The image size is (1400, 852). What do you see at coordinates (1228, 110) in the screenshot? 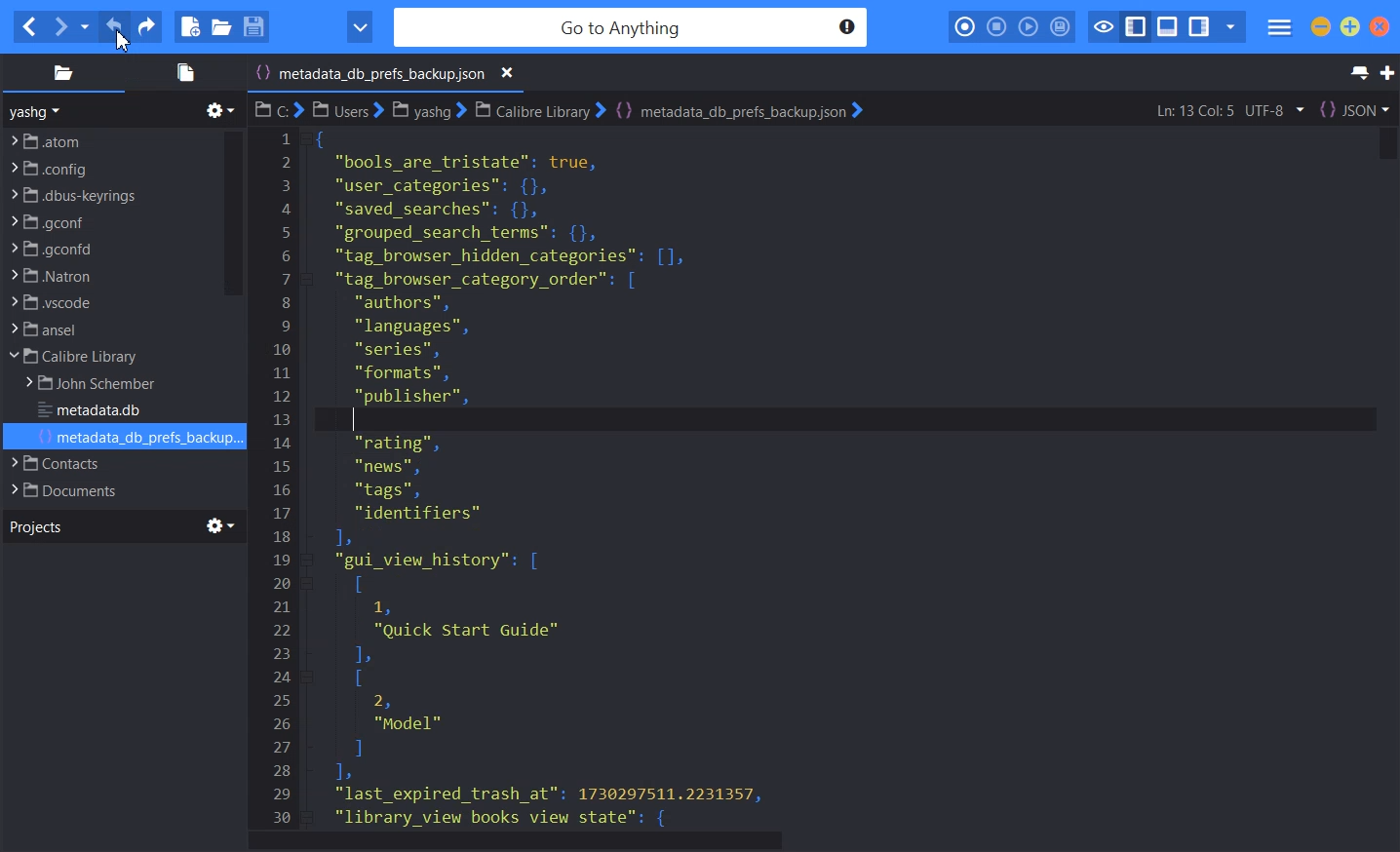
I see `Ln: 13 col:15 UTF-8` at bounding box center [1228, 110].